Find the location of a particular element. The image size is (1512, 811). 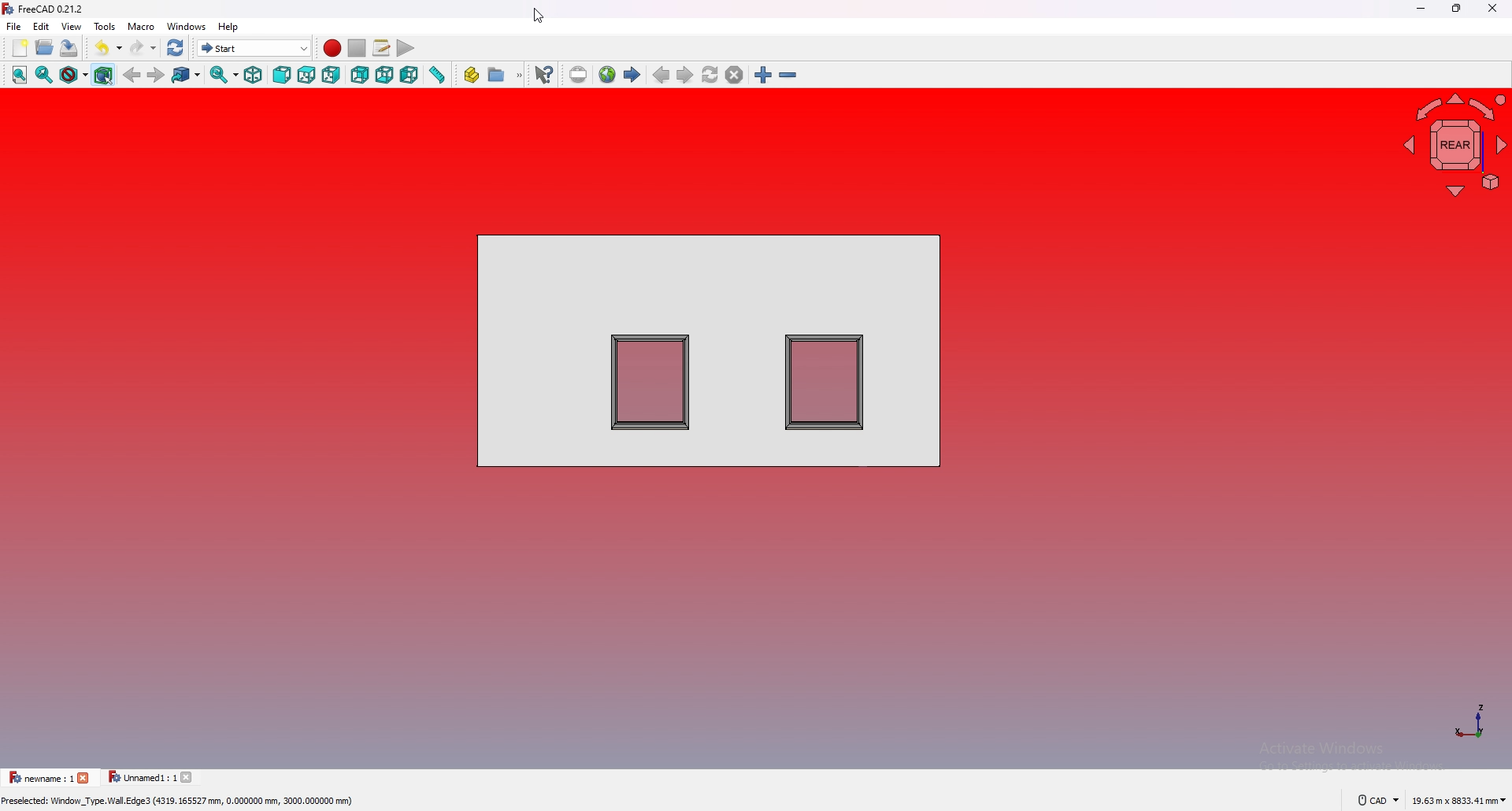

zoom out is located at coordinates (788, 75).